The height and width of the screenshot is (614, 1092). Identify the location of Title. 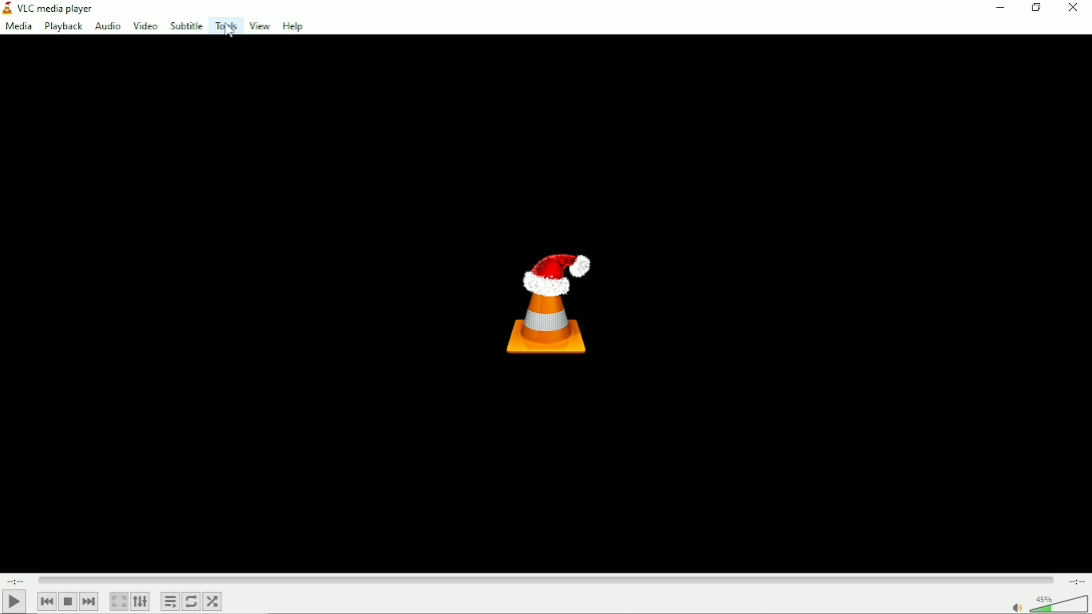
(53, 9).